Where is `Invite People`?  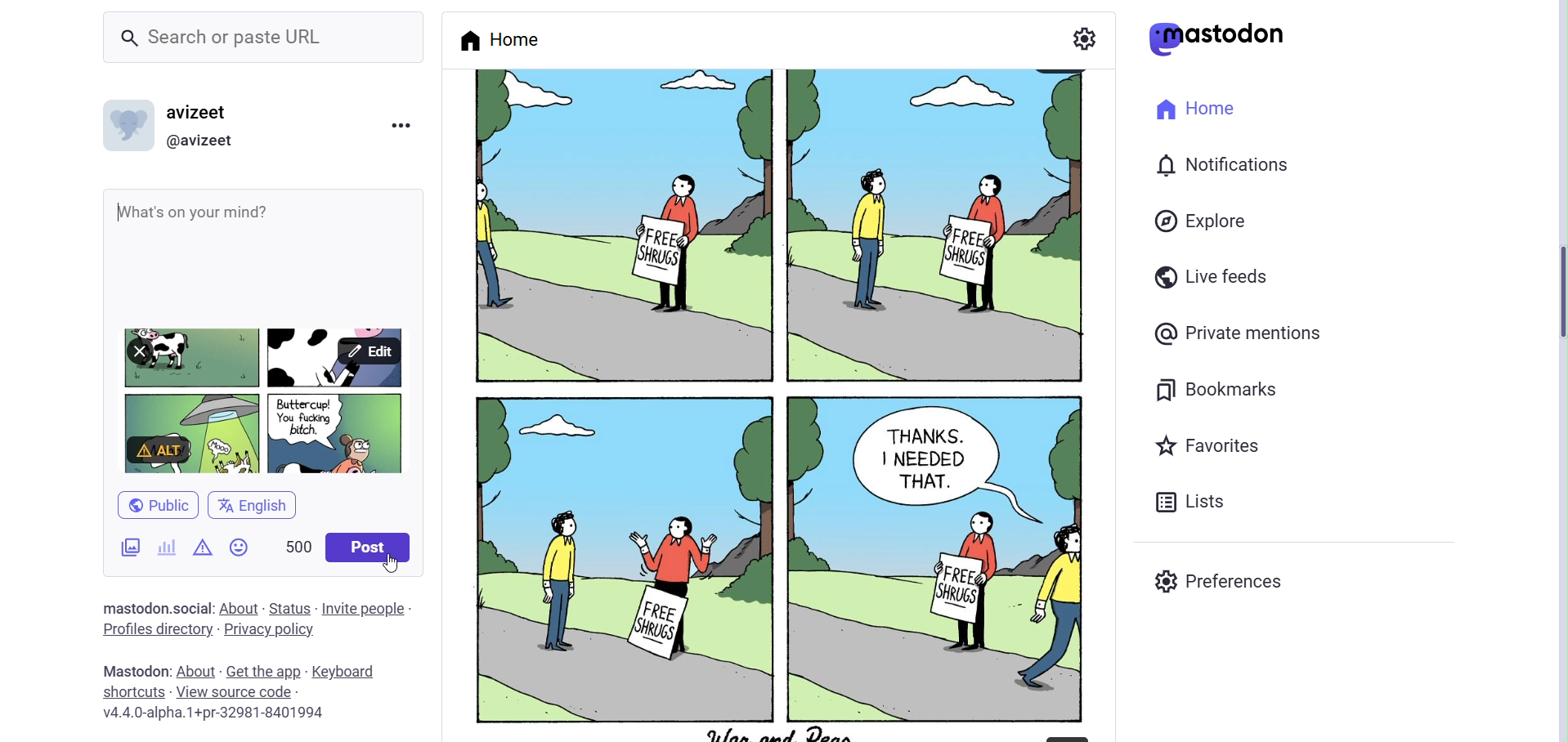 Invite People is located at coordinates (369, 610).